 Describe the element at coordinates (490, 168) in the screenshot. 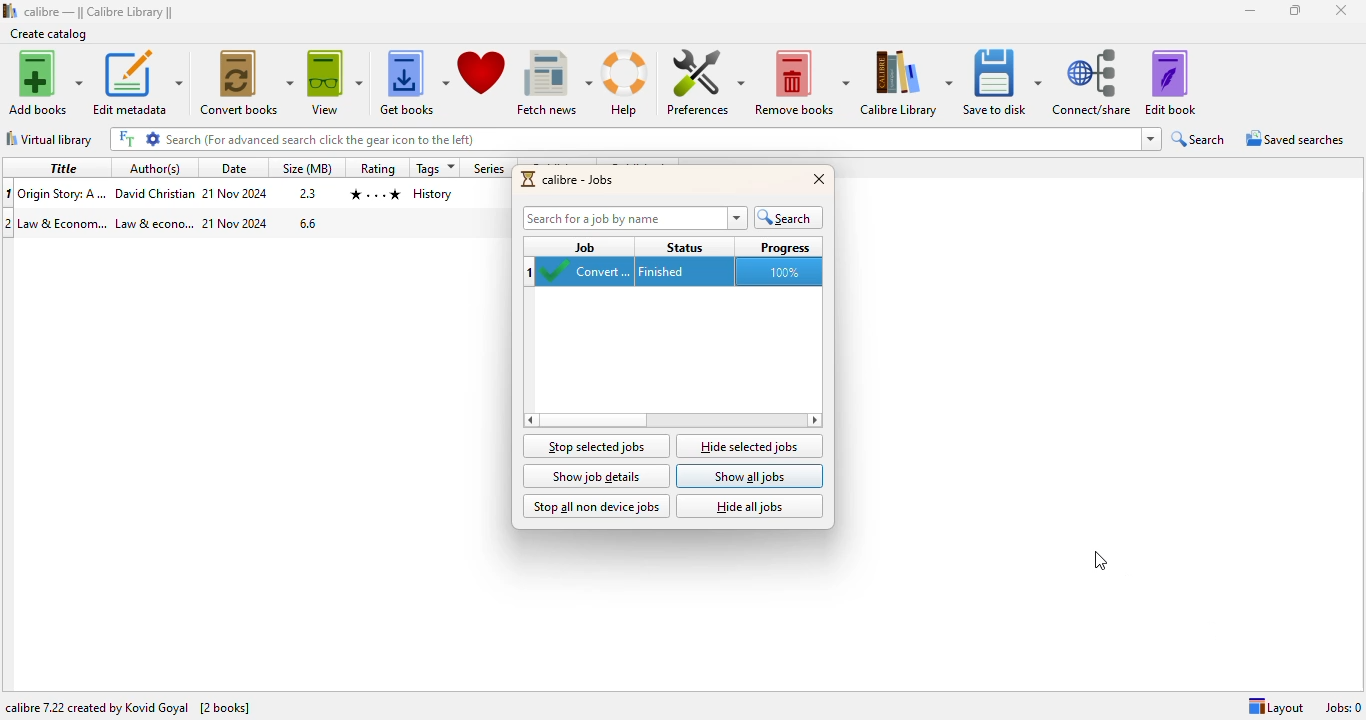

I see `series` at that location.